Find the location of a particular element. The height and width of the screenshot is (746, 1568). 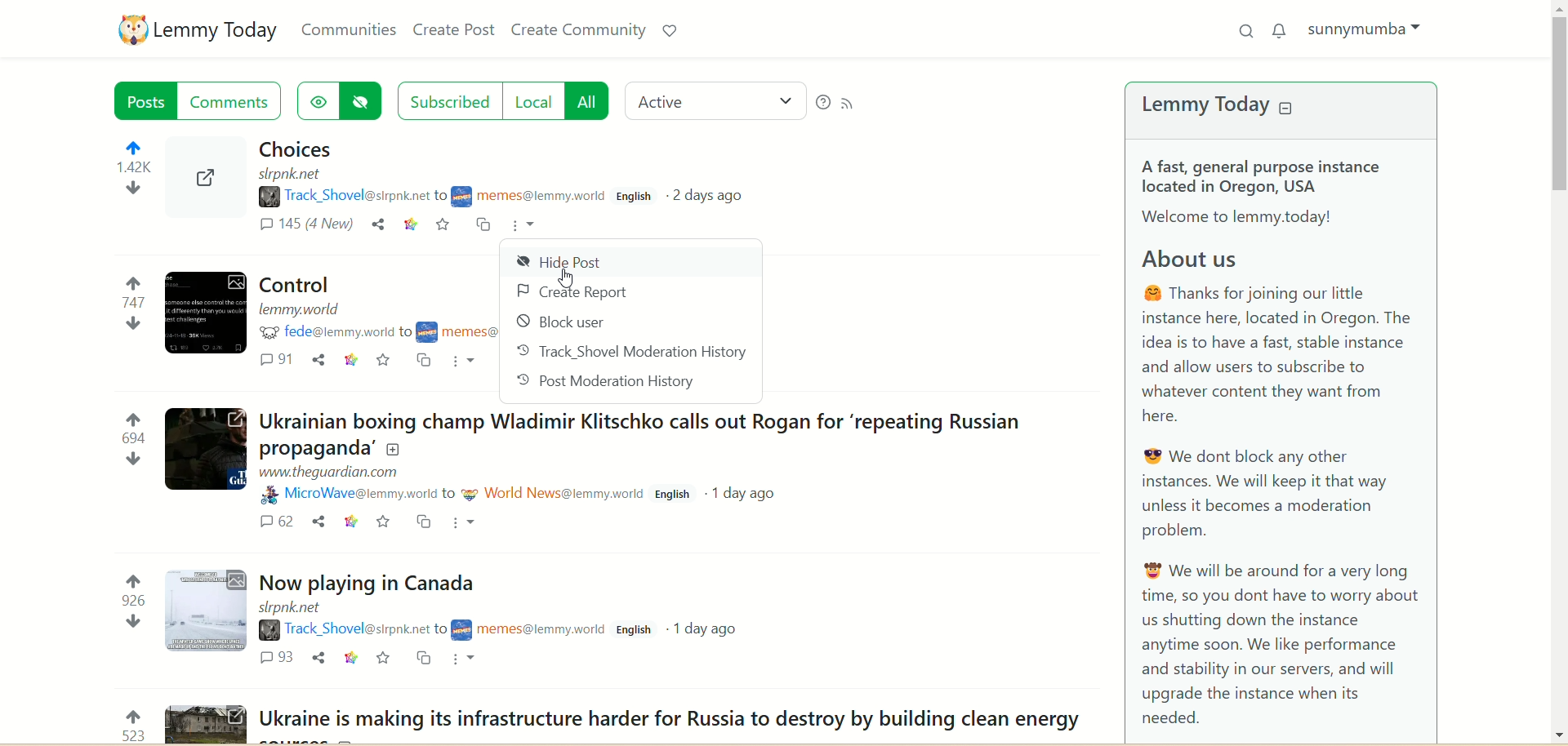

username is located at coordinates (355, 495).